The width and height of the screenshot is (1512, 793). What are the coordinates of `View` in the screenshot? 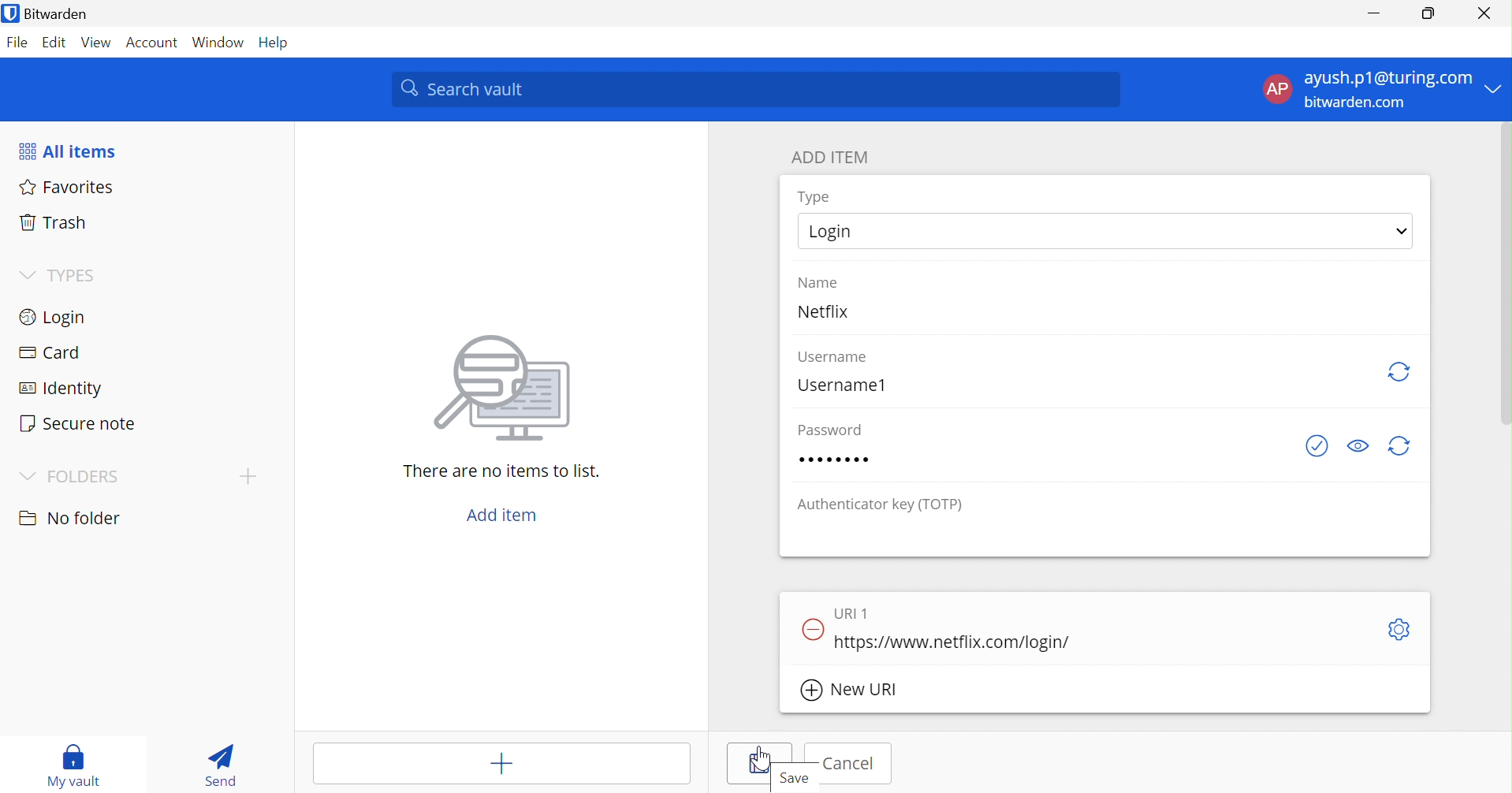 It's located at (96, 43).